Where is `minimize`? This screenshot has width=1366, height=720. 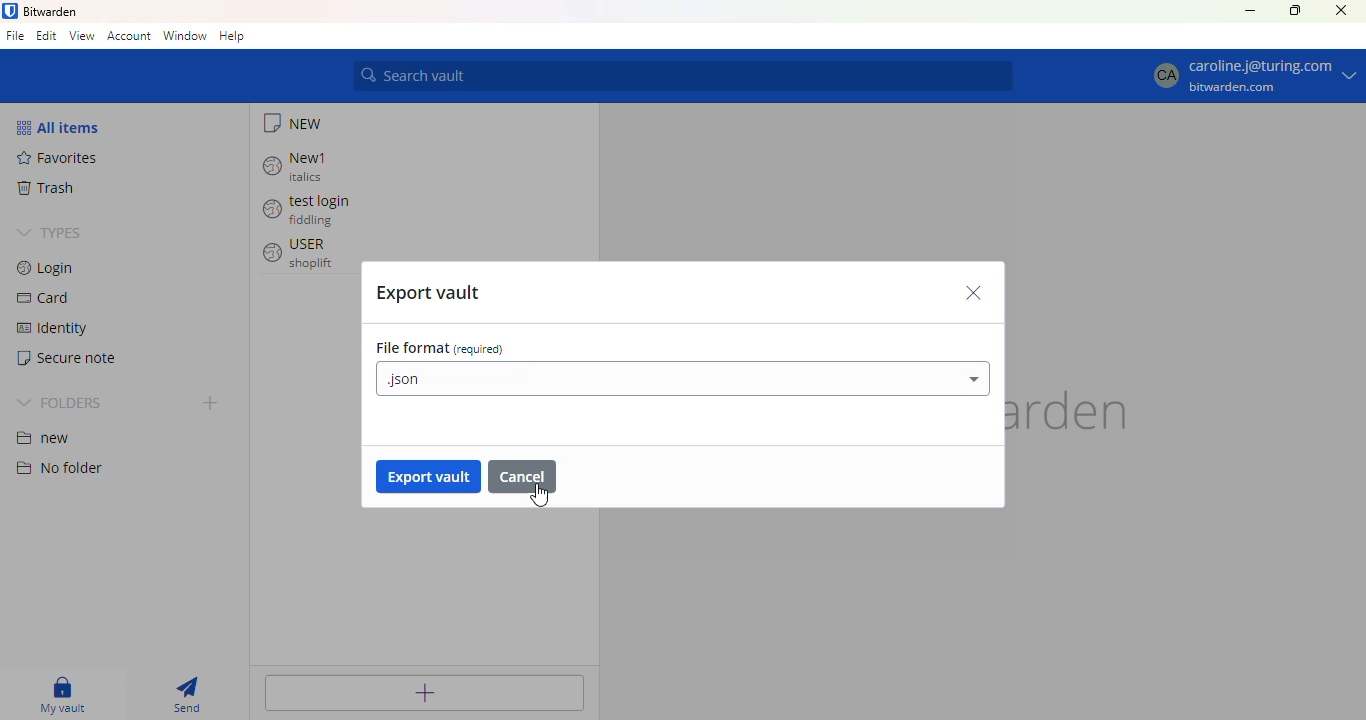
minimize is located at coordinates (1250, 11).